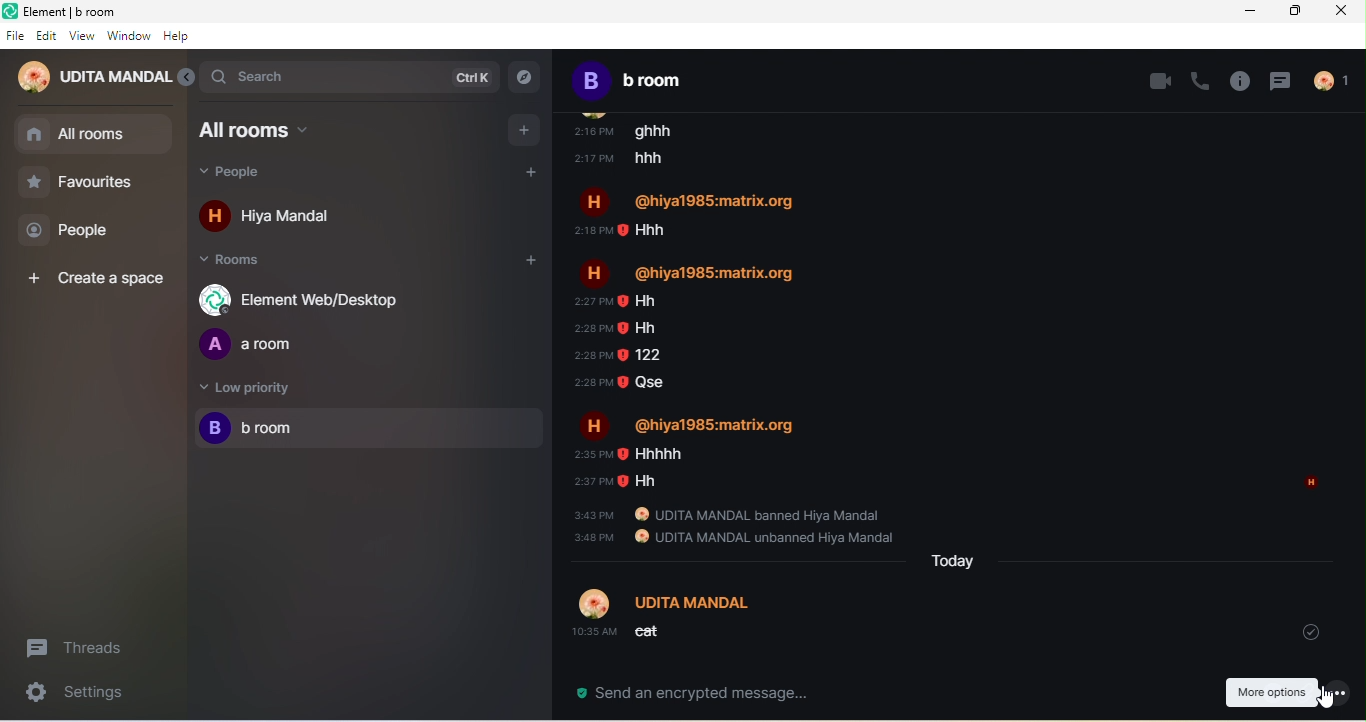  I want to click on threads, so click(85, 648).